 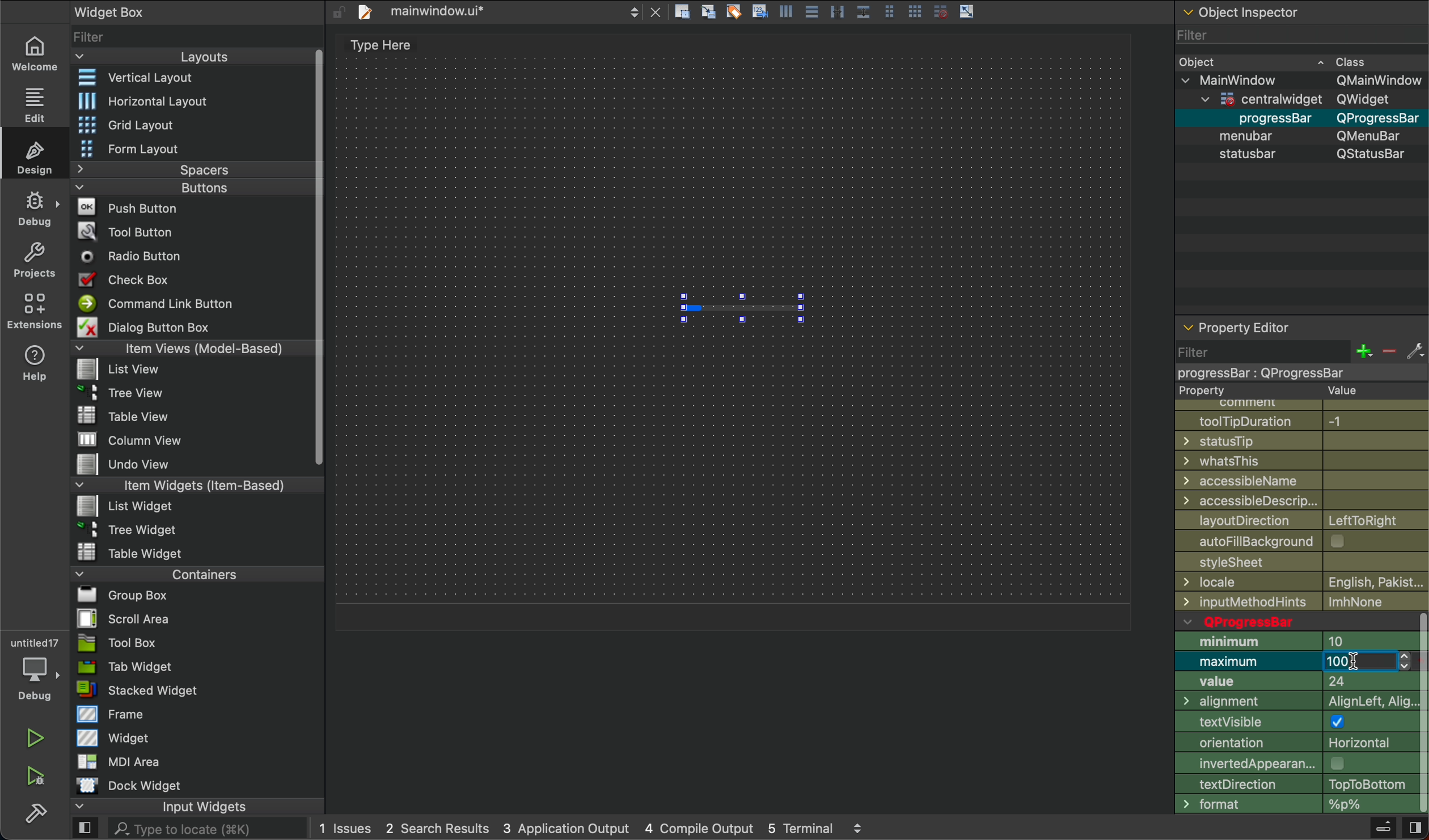 I want to click on help, so click(x=36, y=362).